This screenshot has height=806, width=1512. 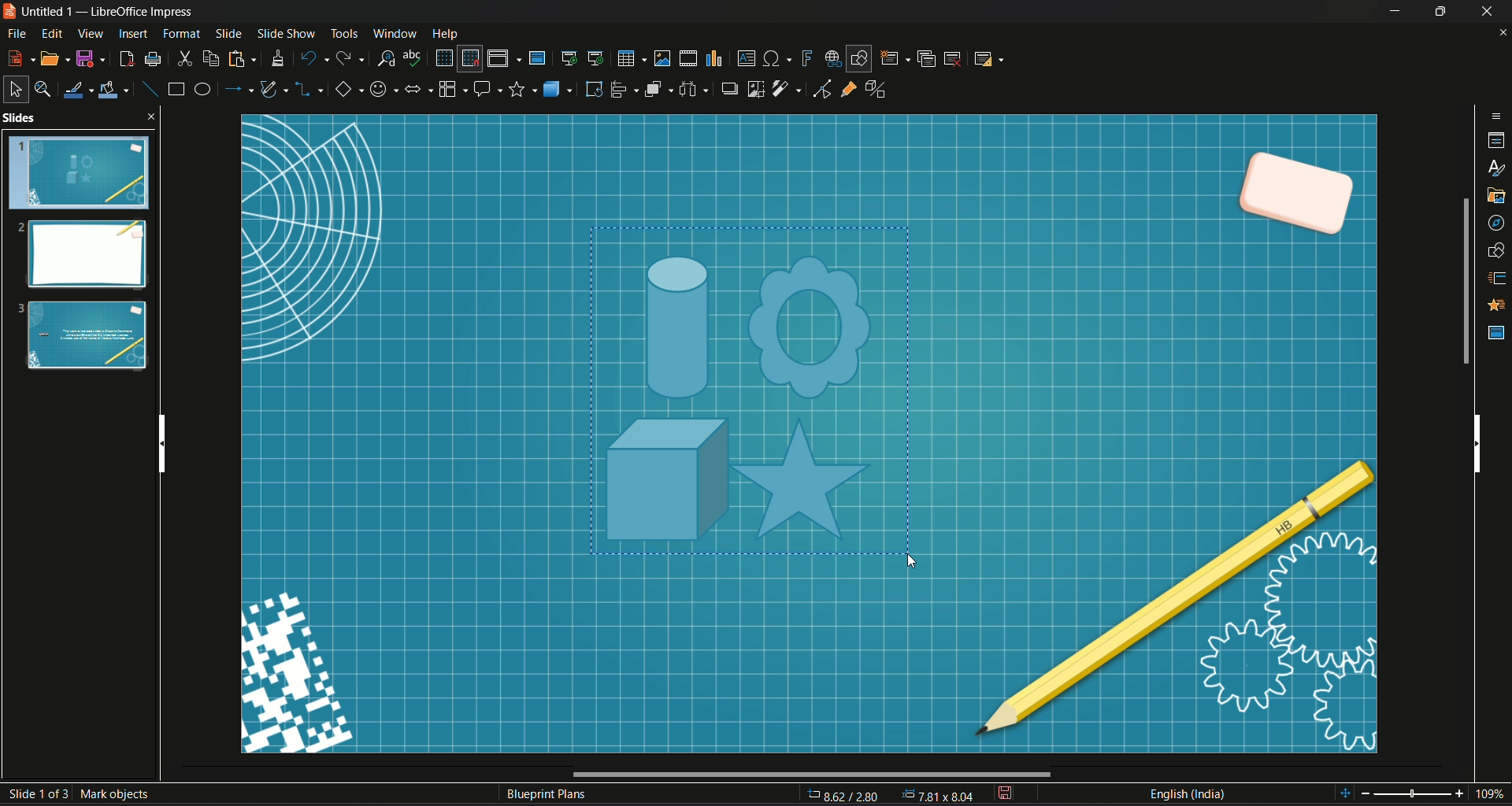 I want to click on Animation, so click(x=1498, y=305).